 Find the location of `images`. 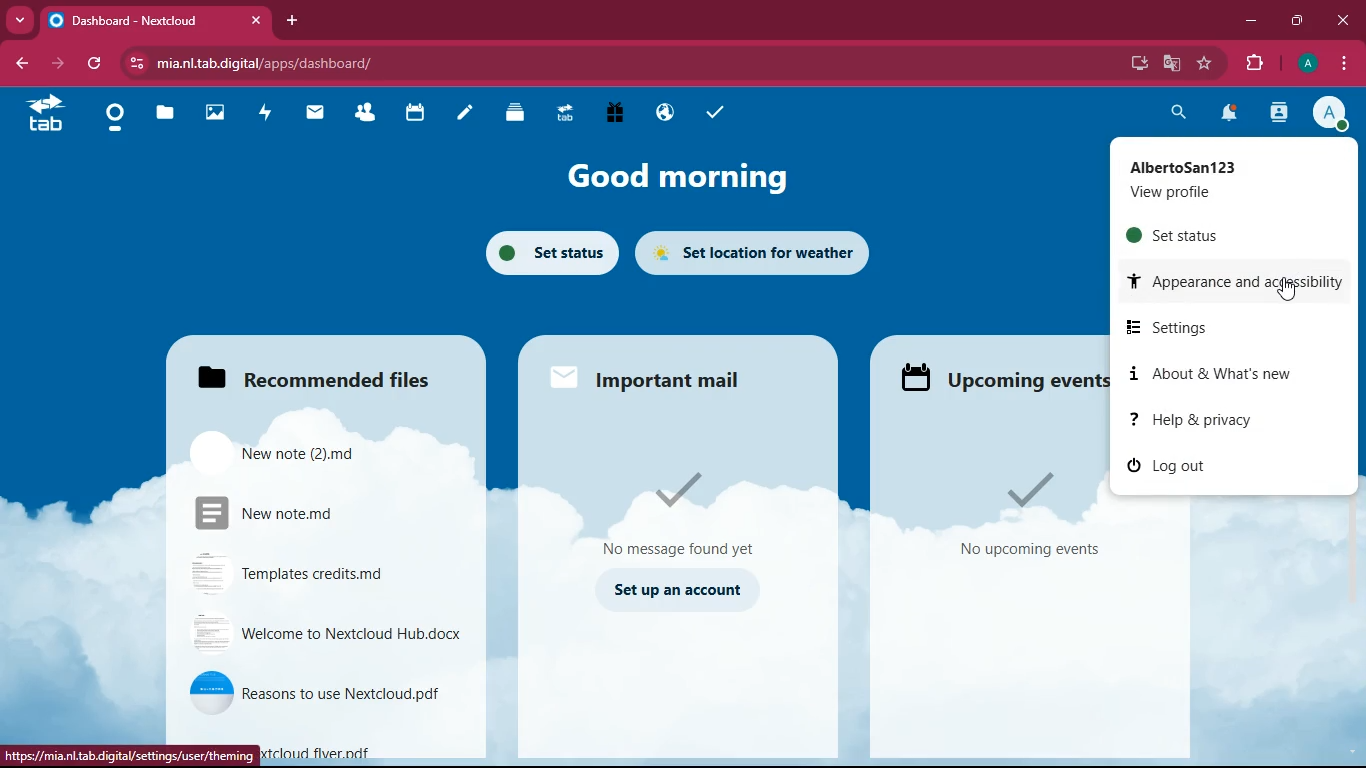

images is located at coordinates (213, 111).